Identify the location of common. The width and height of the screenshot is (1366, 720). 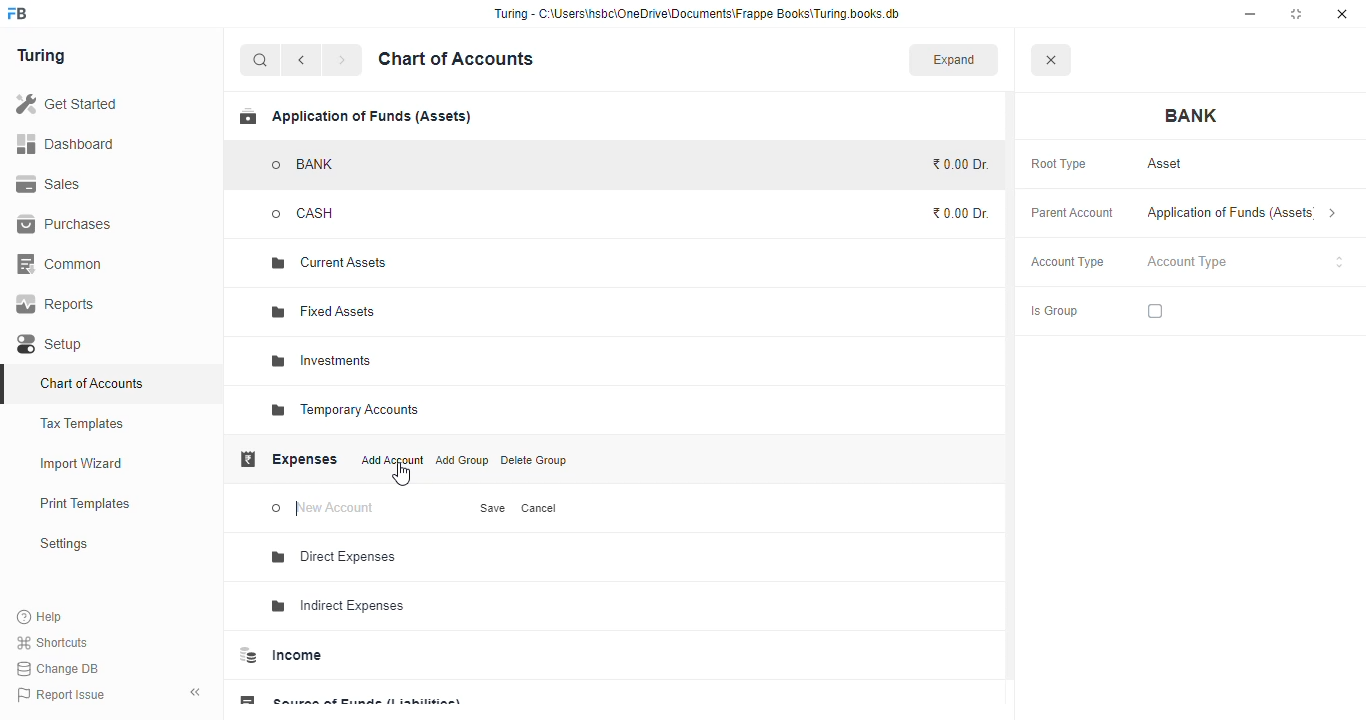
(61, 264).